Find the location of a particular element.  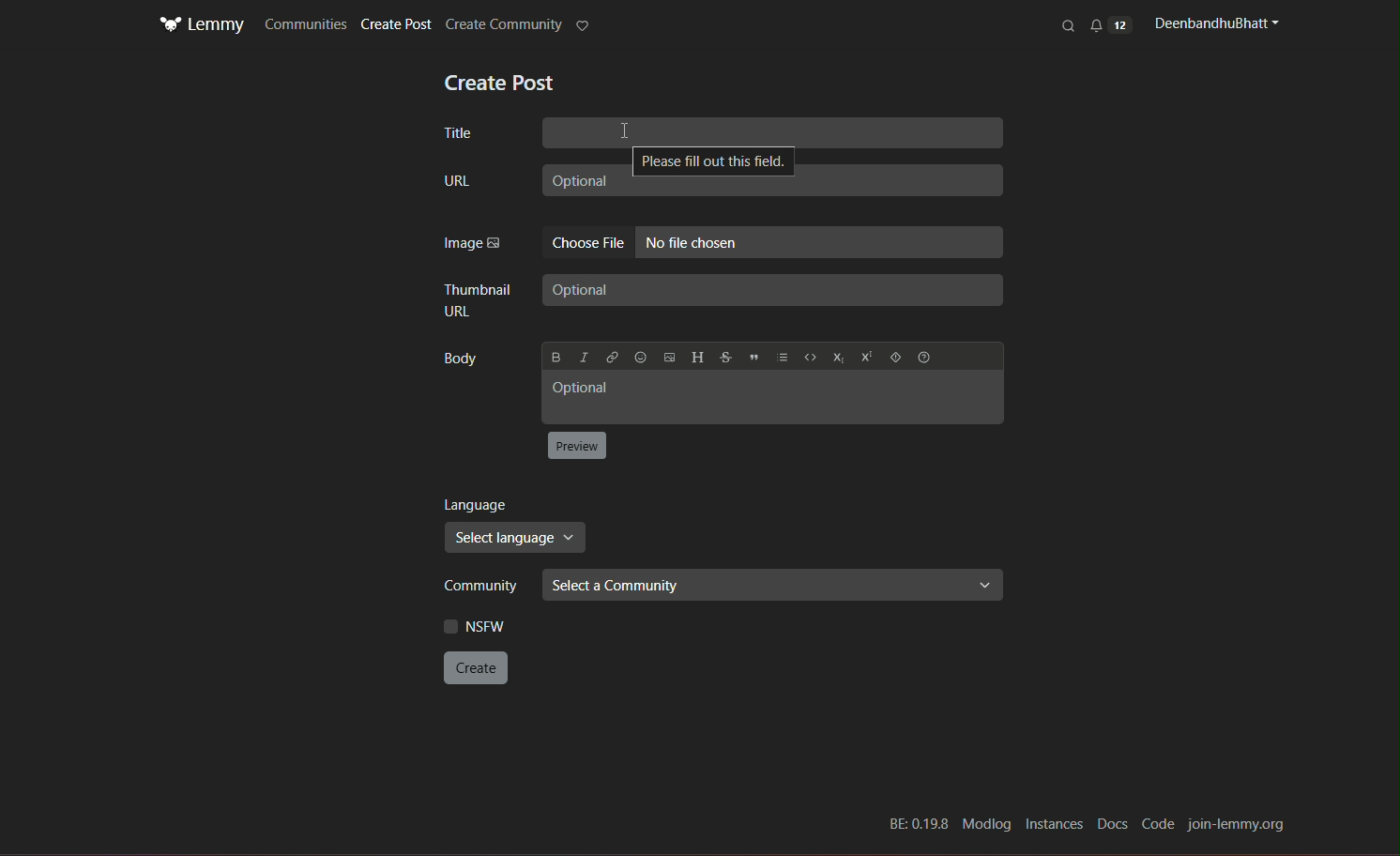

code is located at coordinates (809, 356).